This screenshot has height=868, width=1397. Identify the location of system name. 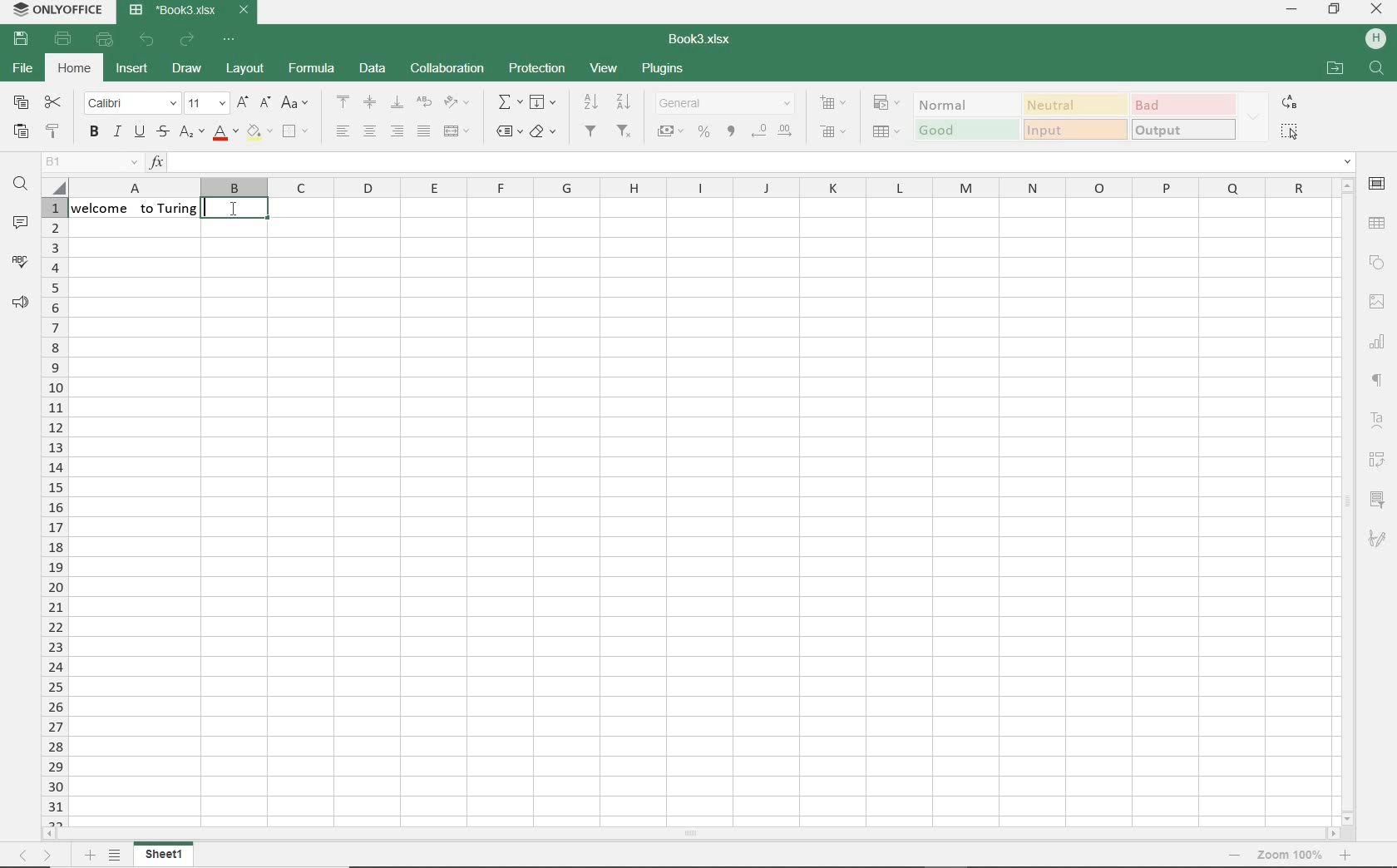
(56, 11).